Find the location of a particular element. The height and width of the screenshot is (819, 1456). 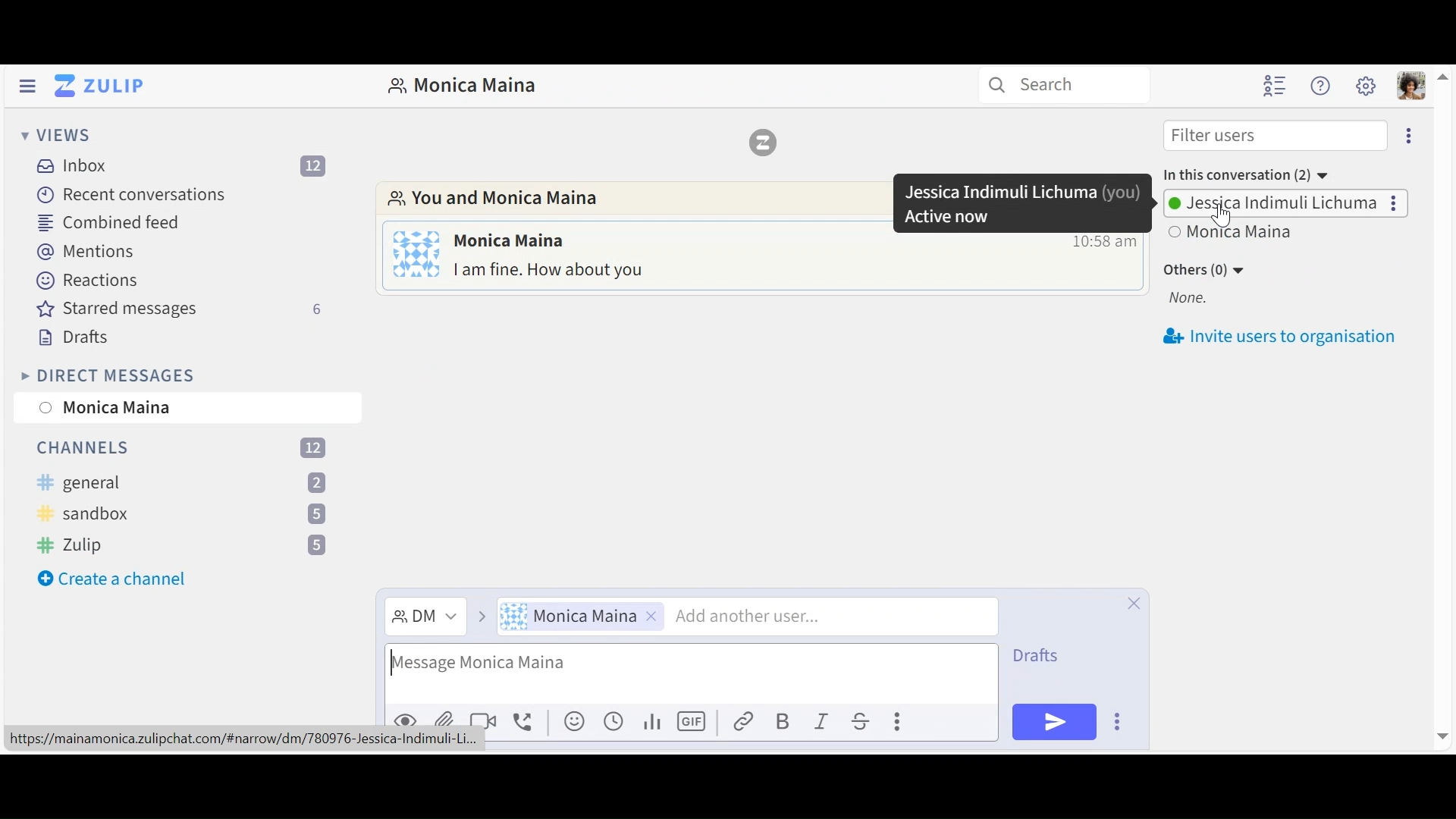

Drafts is located at coordinates (74, 337).